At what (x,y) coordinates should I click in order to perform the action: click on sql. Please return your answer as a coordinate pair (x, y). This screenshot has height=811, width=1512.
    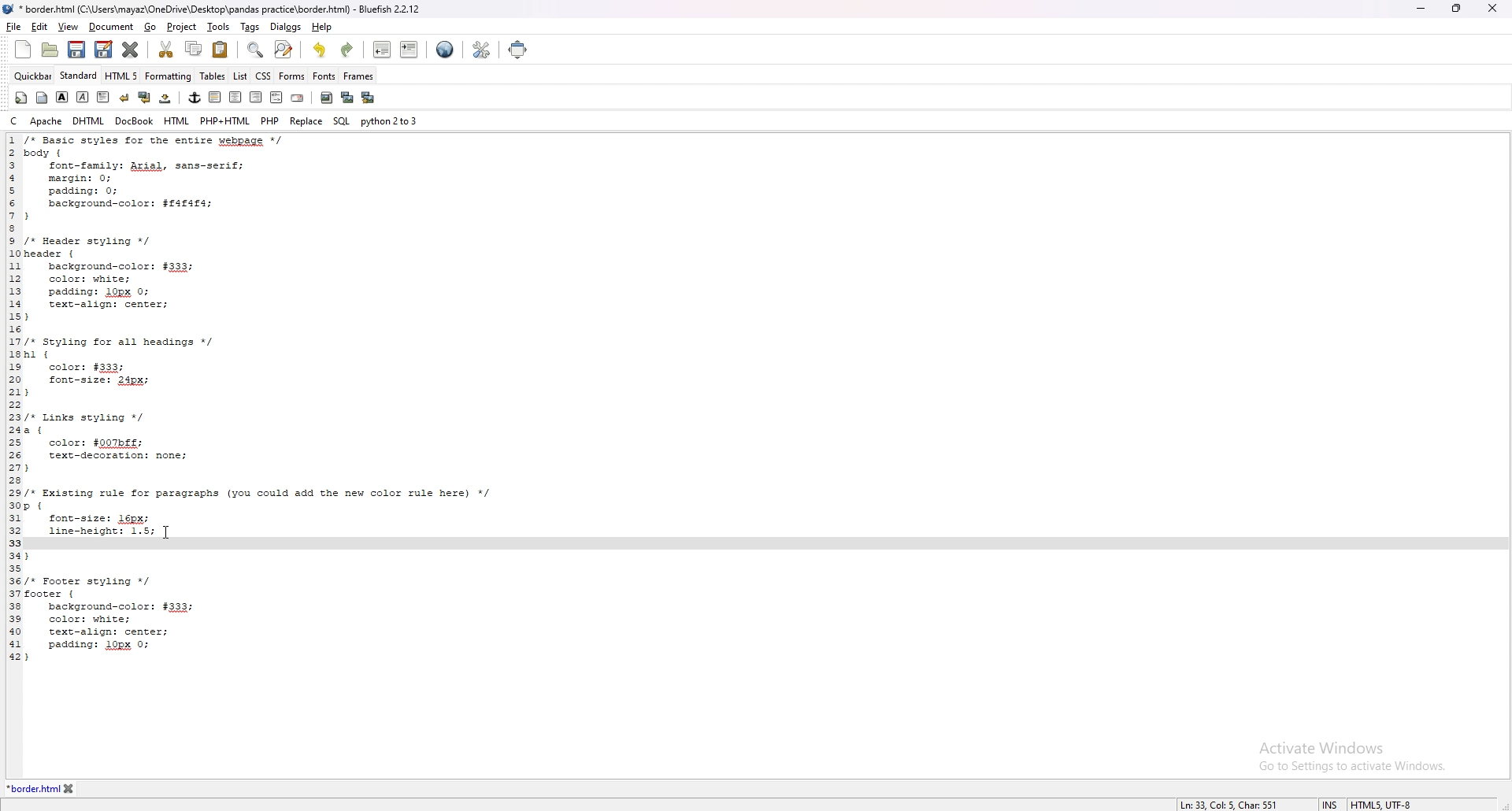
    Looking at the image, I should click on (342, 120).